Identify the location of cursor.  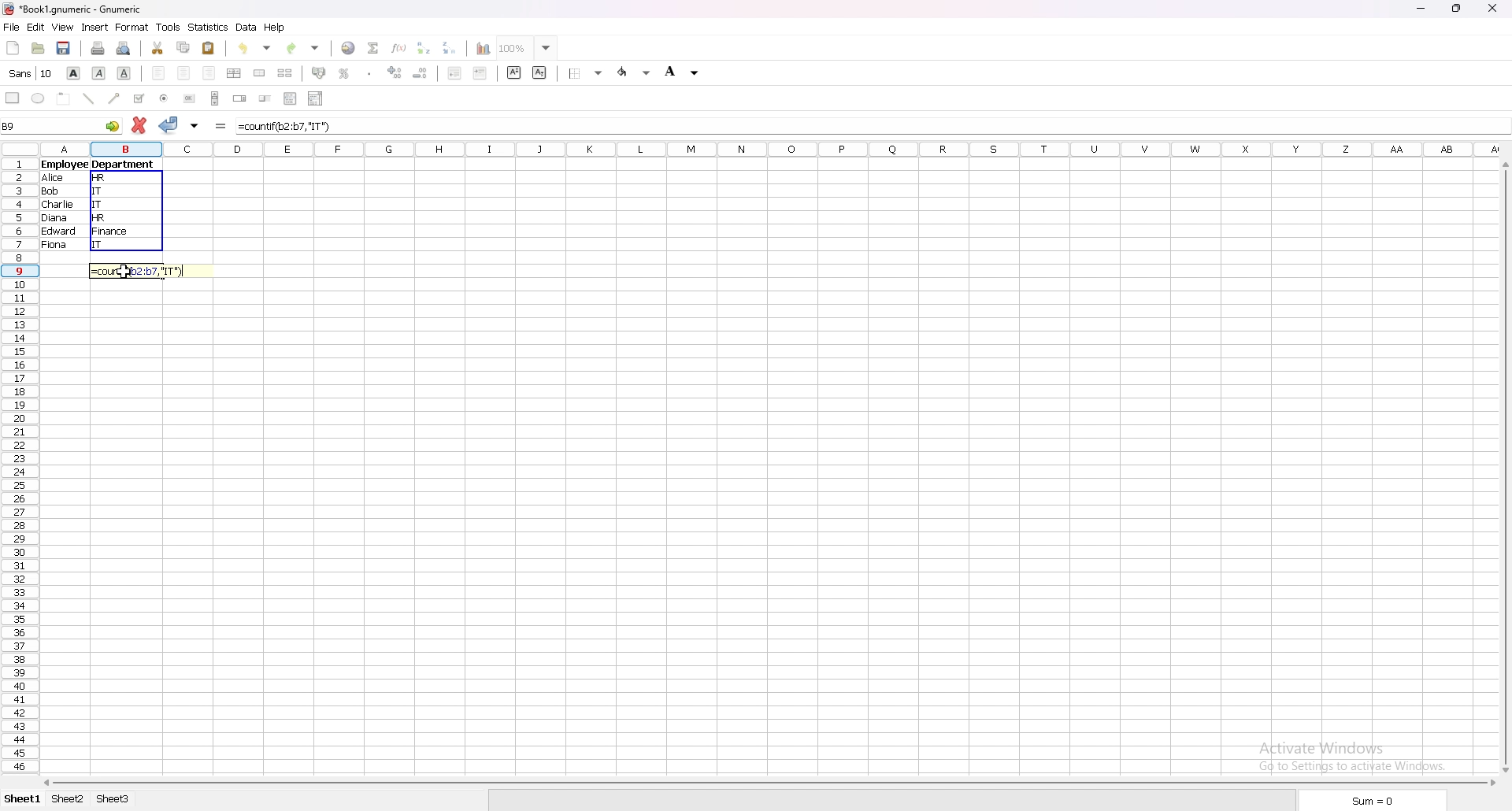
(124, 272).